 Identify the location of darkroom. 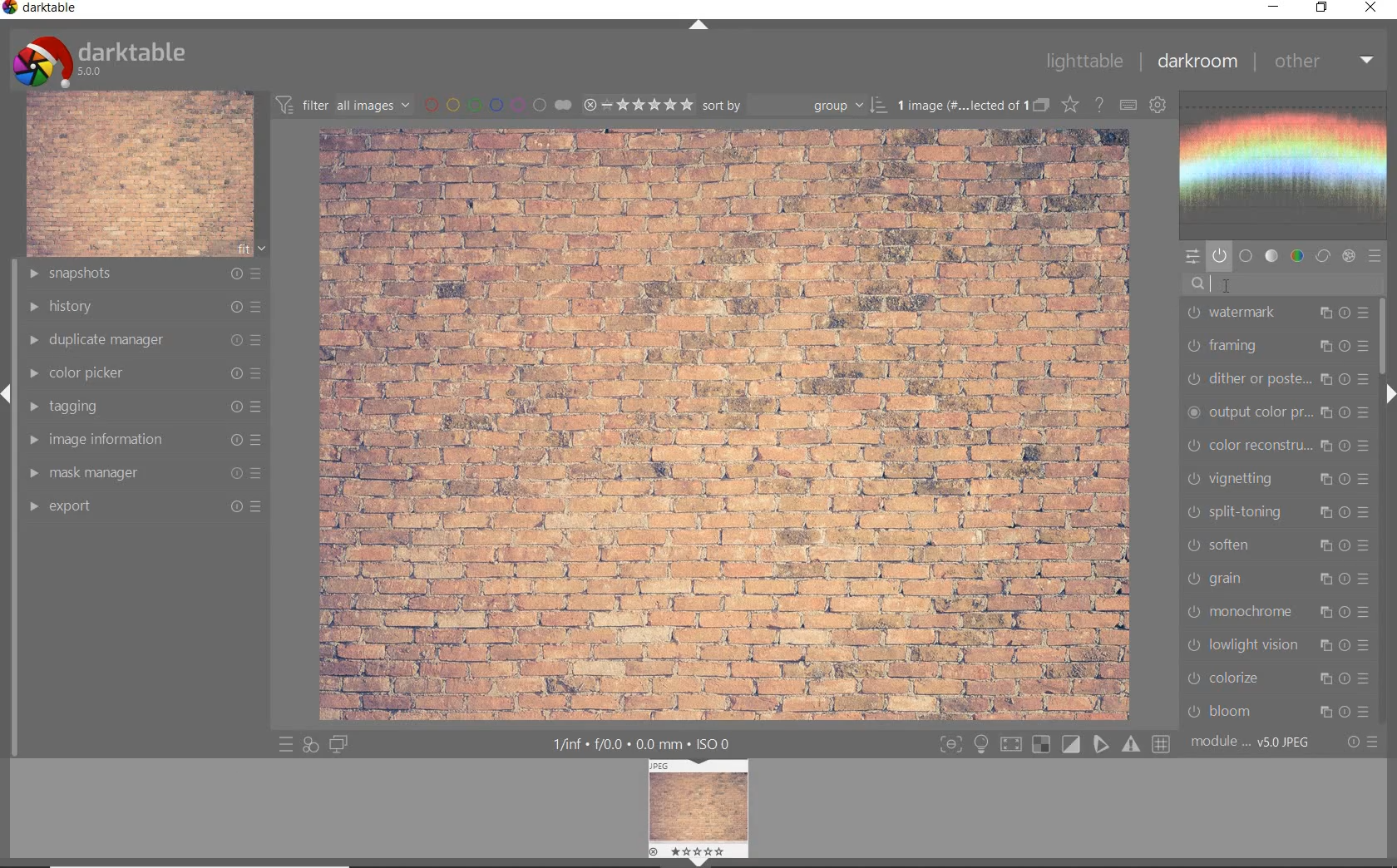
(1197, 62).